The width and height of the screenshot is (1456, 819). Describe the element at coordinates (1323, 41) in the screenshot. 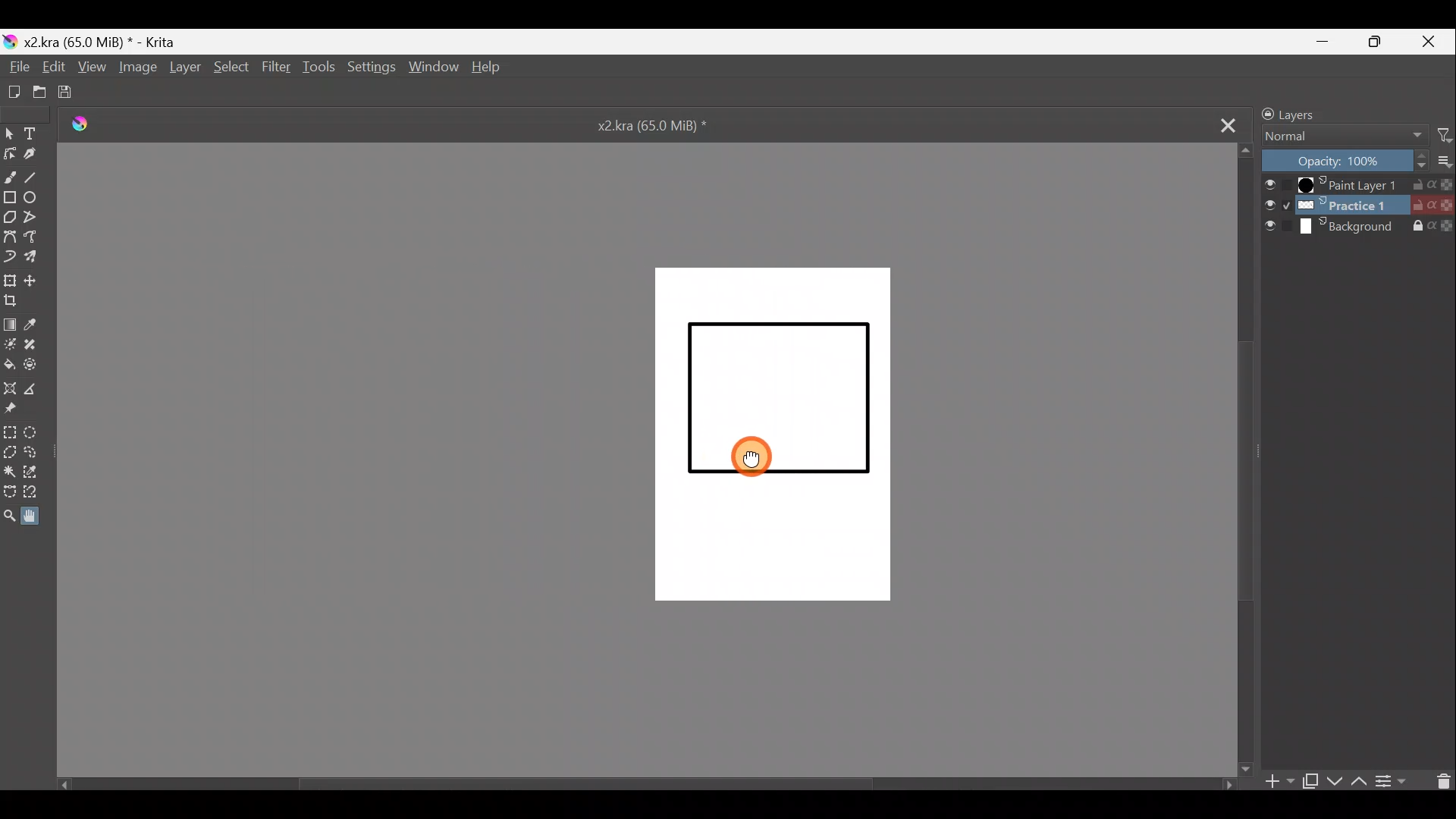

I see `Minimize` at that location.